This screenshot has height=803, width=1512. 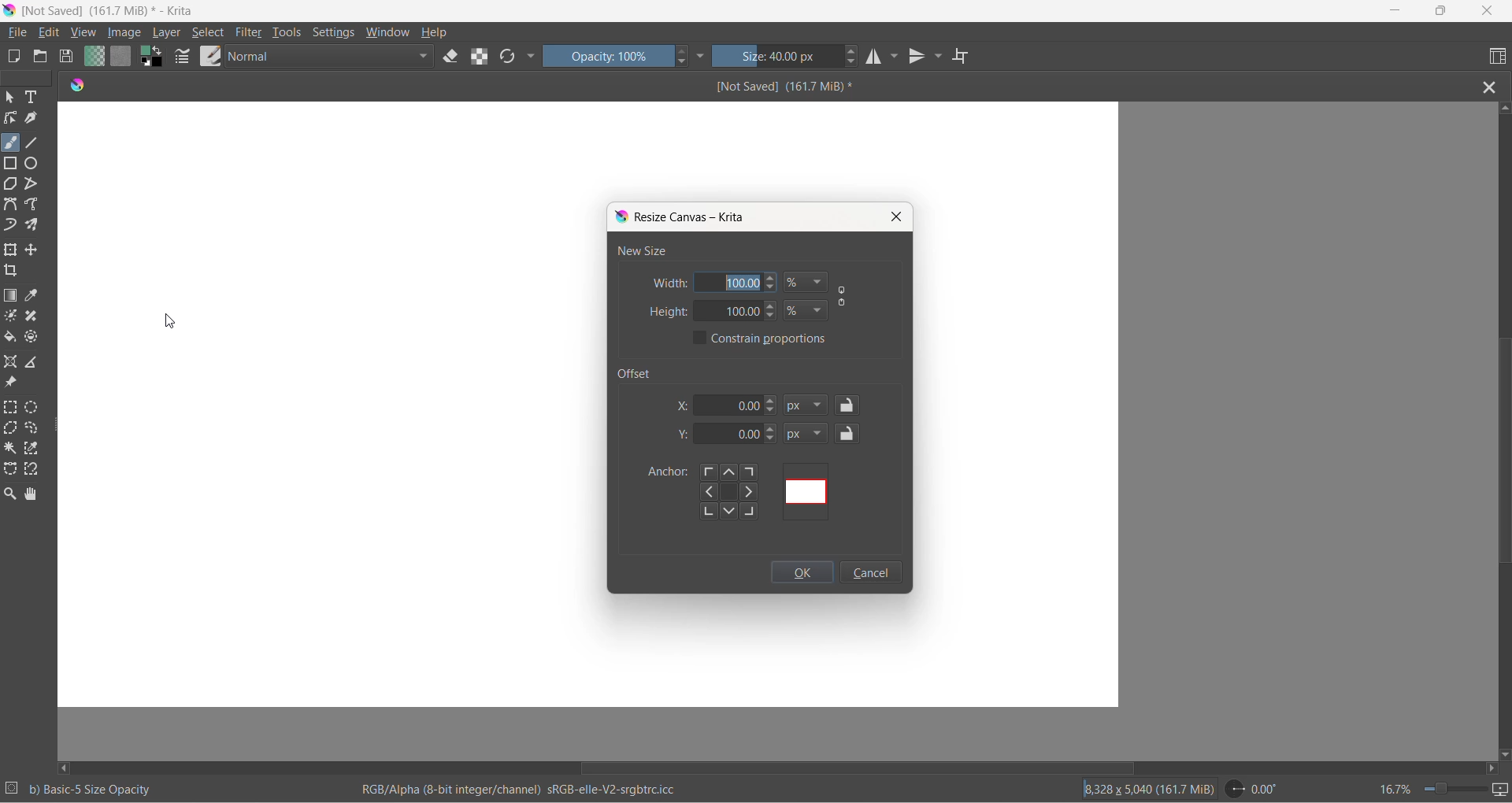 I want to click on filter, so click(x=250, y=35).